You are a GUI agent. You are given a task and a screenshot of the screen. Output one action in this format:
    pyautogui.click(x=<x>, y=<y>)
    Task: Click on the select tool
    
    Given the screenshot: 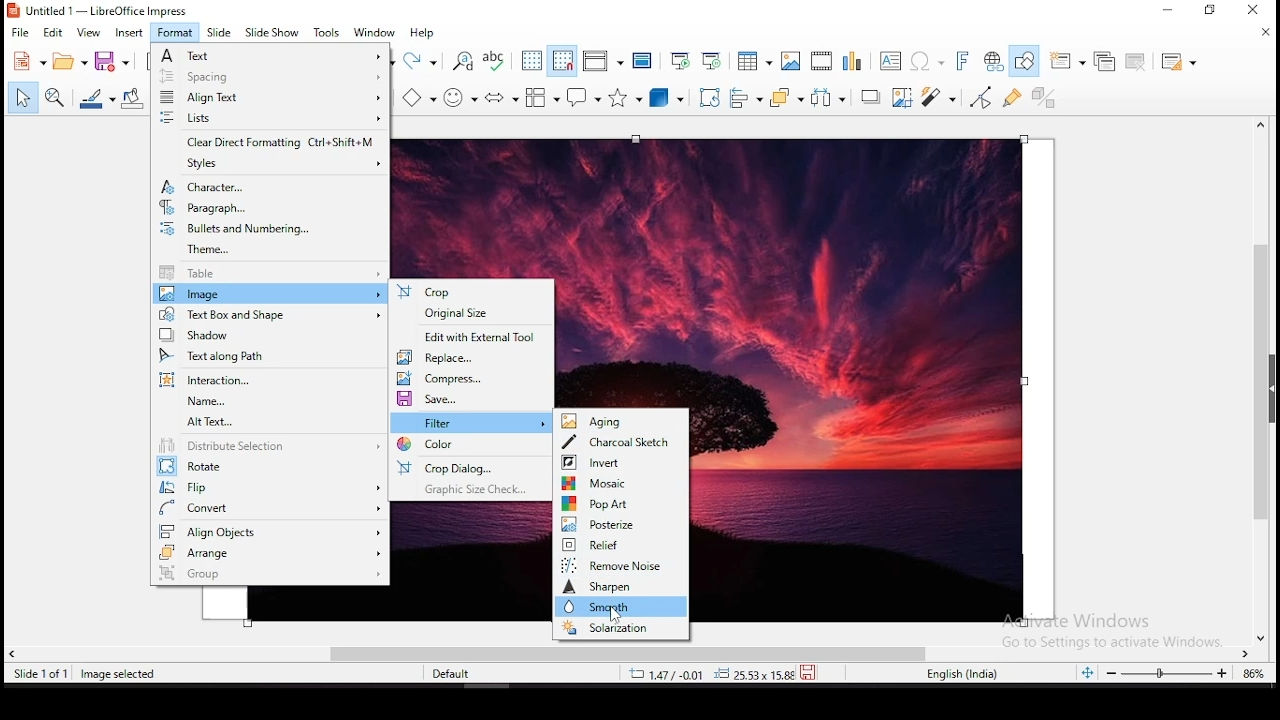 What is the action you would take?
    pyautogui.click(x=20, y=99)
    